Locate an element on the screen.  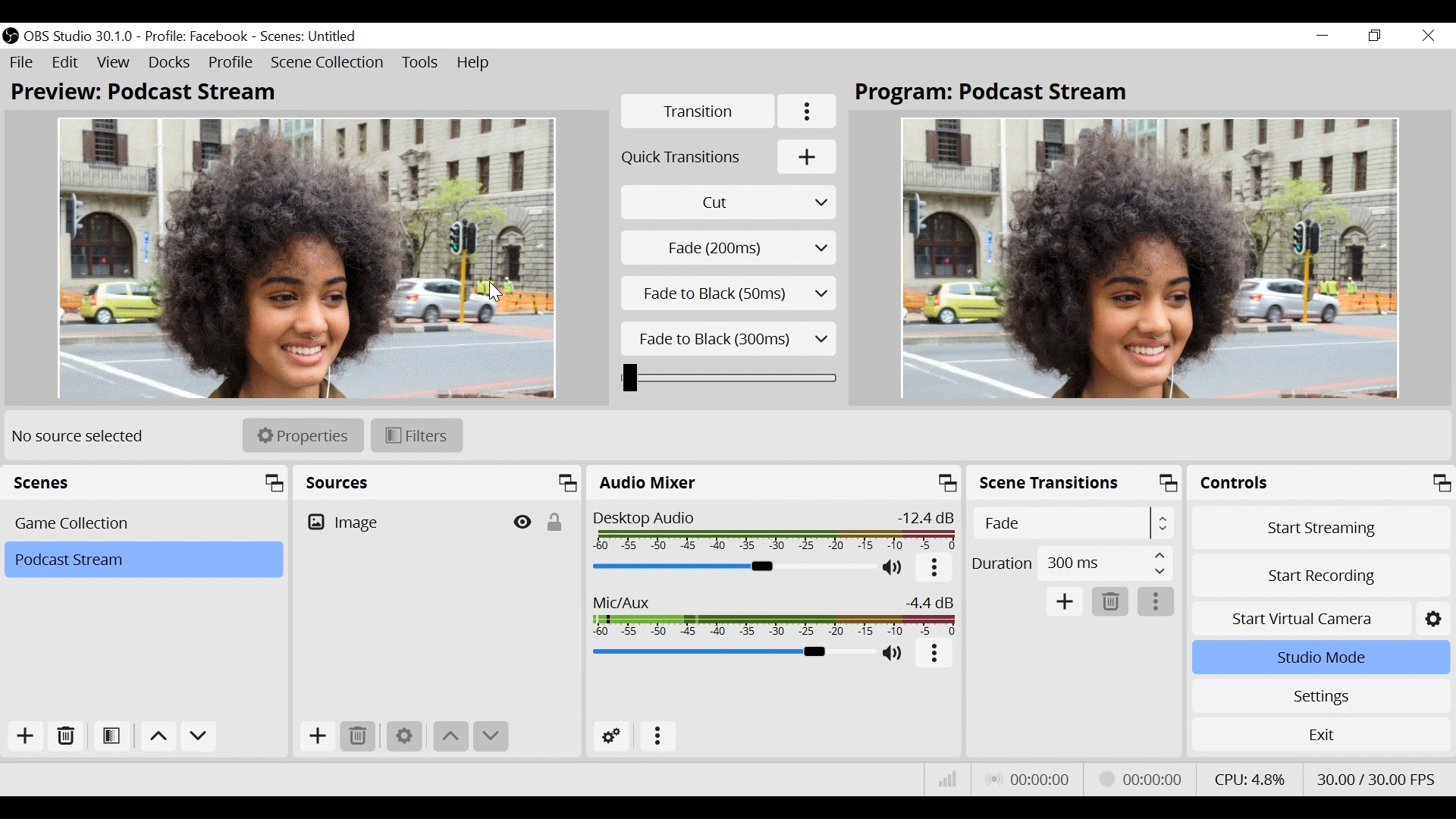
Add is located at coordinates (319, 736).